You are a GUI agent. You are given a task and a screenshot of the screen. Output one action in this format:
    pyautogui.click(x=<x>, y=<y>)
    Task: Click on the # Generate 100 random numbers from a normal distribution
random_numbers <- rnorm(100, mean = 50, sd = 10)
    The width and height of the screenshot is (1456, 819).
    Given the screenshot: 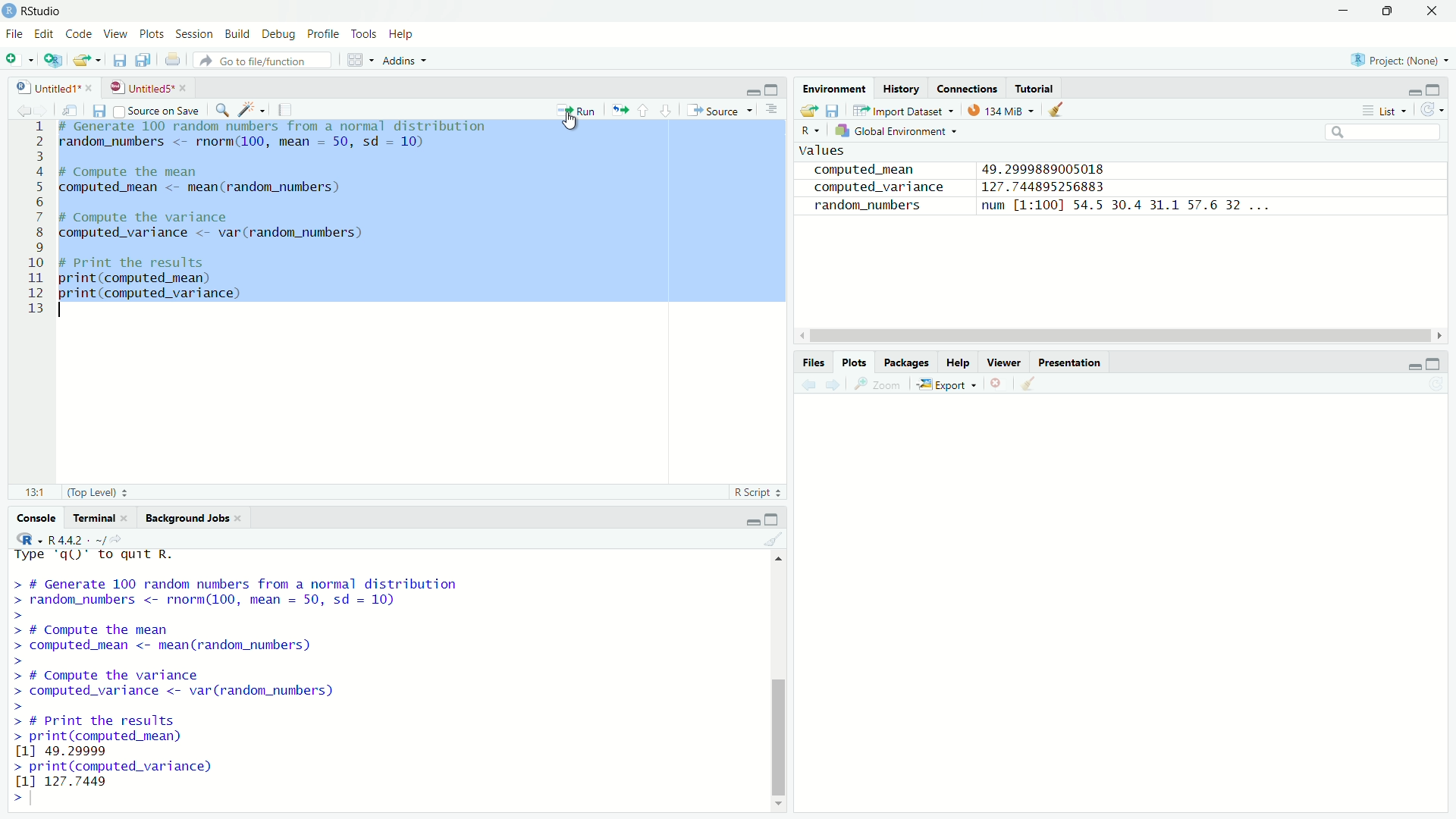 What is the action you would take?
    pyautogui.click(x=287, y=591)
    